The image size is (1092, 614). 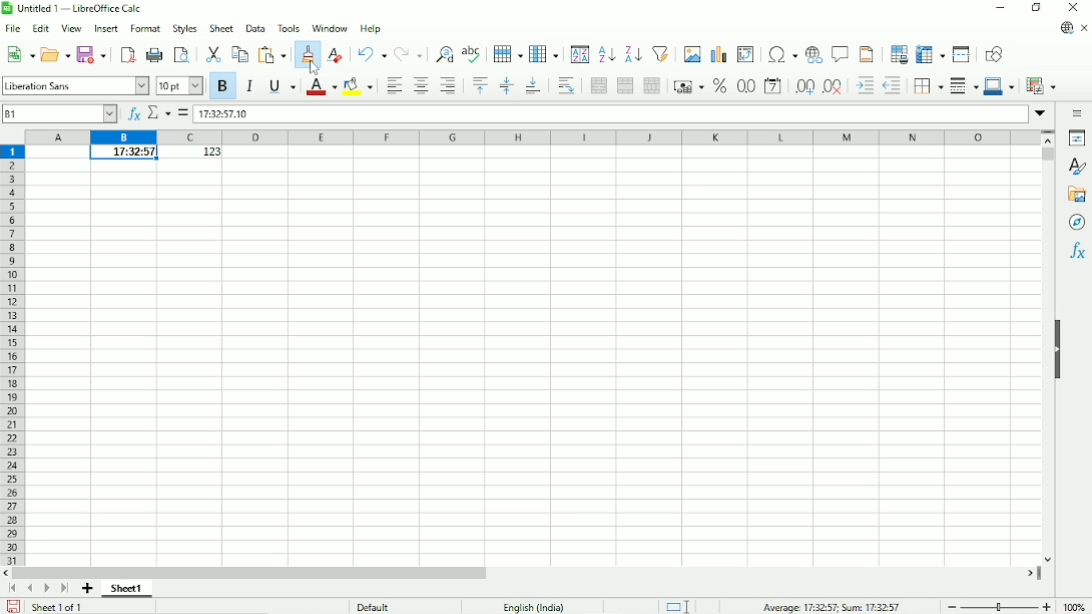 What do you see at coordinates (371, 54) in the screenshot?
I see `Undo` at bounding box center [371, 54].